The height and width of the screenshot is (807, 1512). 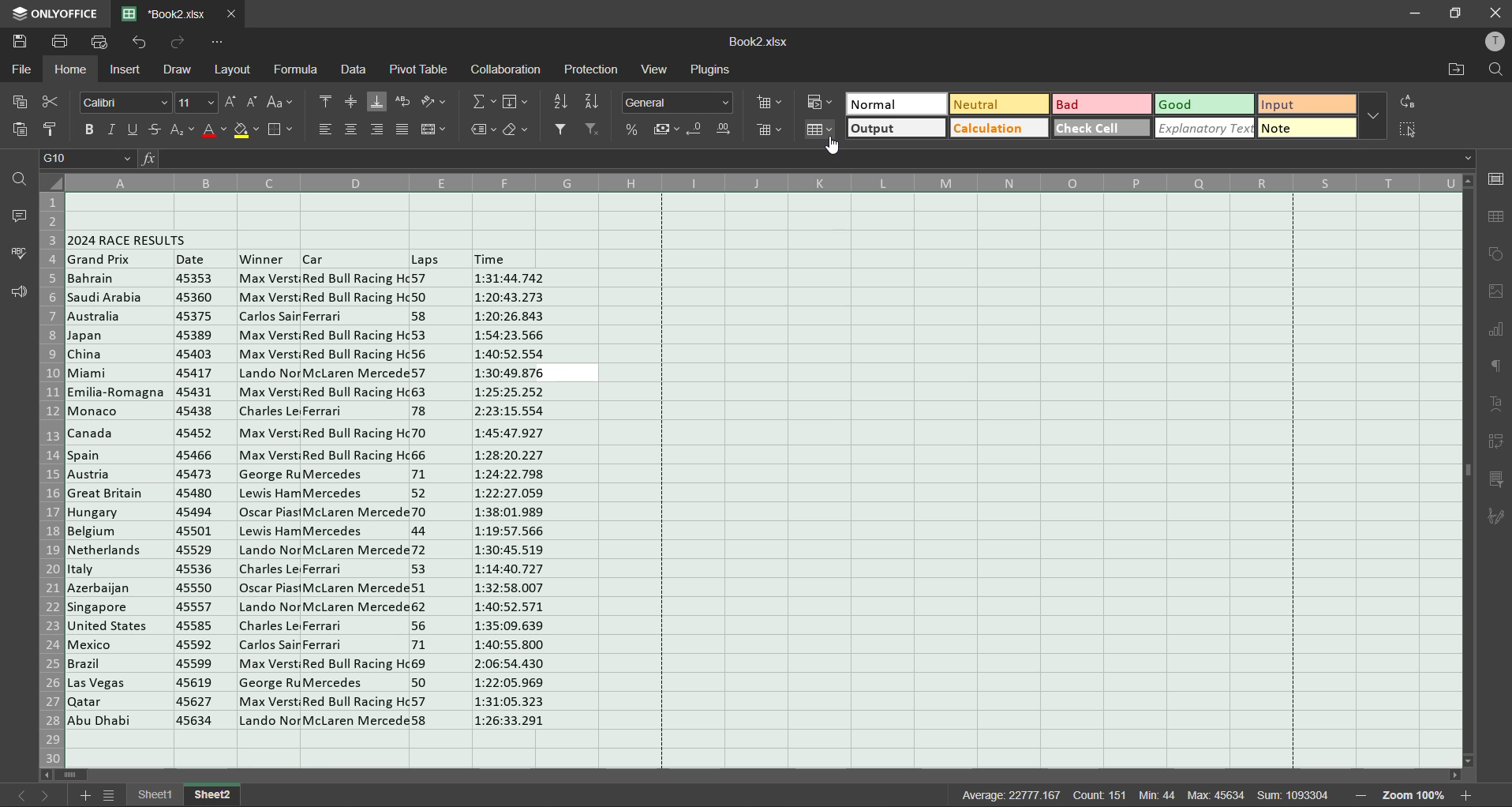 What do you see at coordinates (52, 102) in the screenshot?
I see `cut` at bounding box center [52, 102].